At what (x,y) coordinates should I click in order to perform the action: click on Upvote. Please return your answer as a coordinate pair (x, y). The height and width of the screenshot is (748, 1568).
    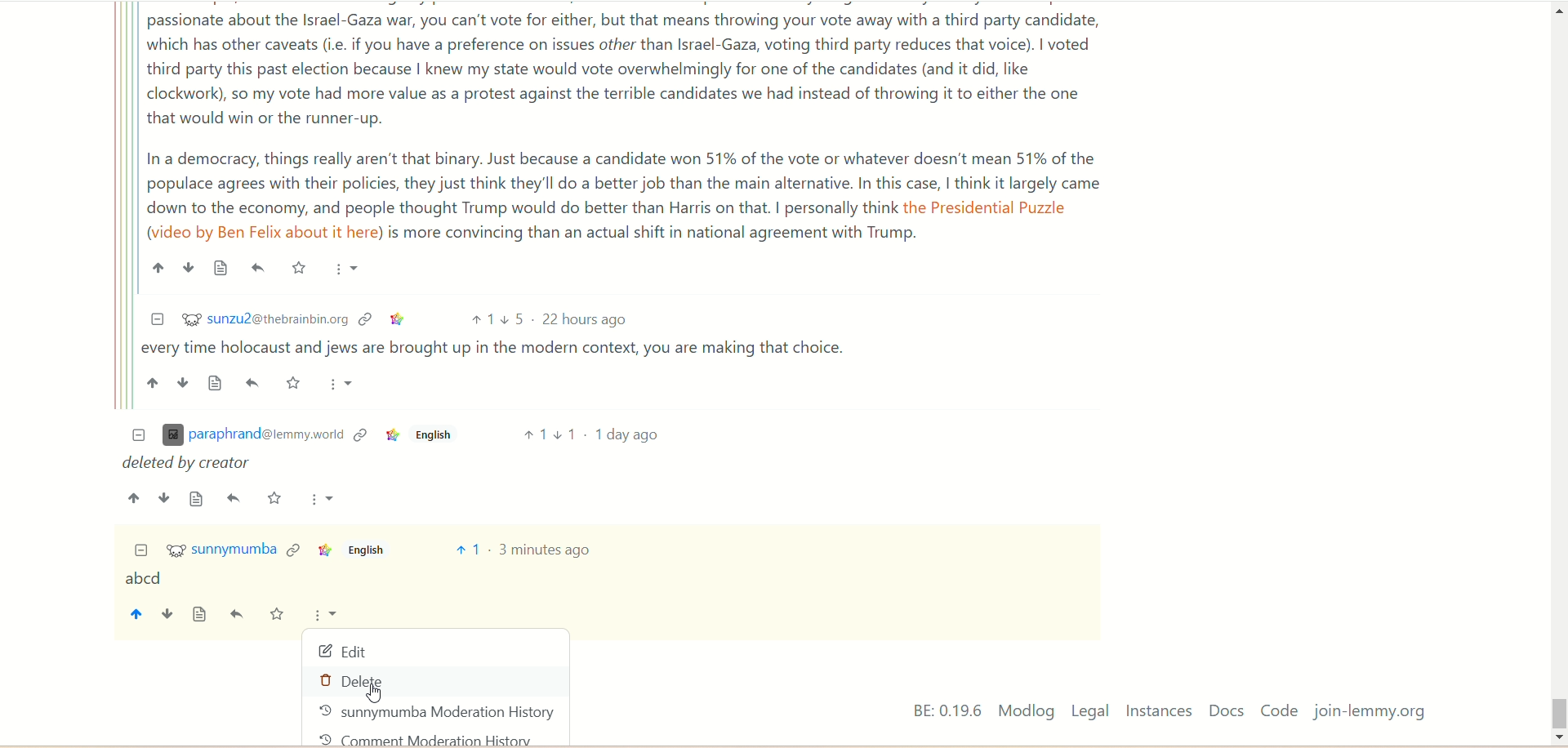
    Looking at the image, I should click on (153, 383).